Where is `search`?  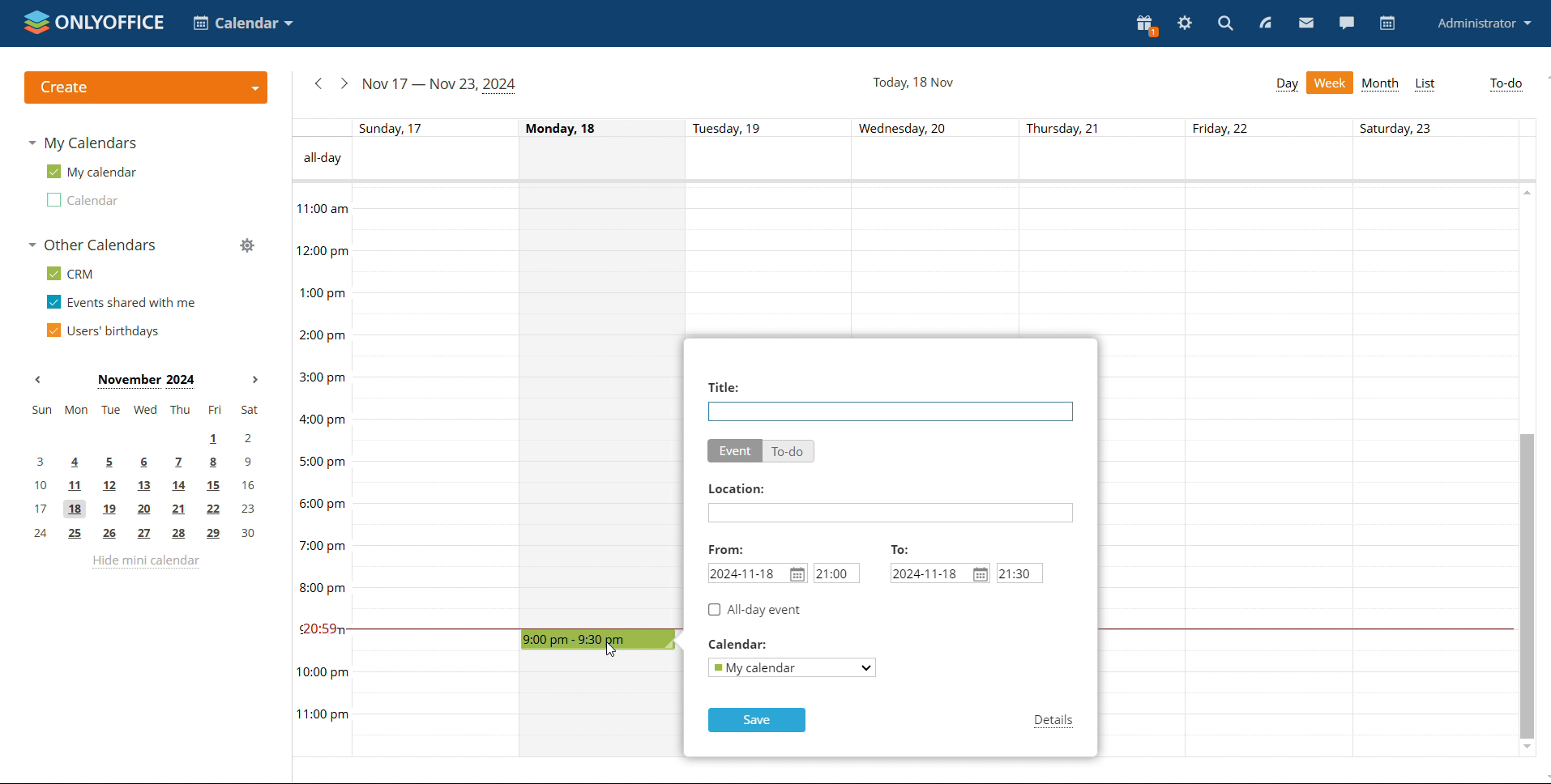 search is located at coordinates (1226, 23).